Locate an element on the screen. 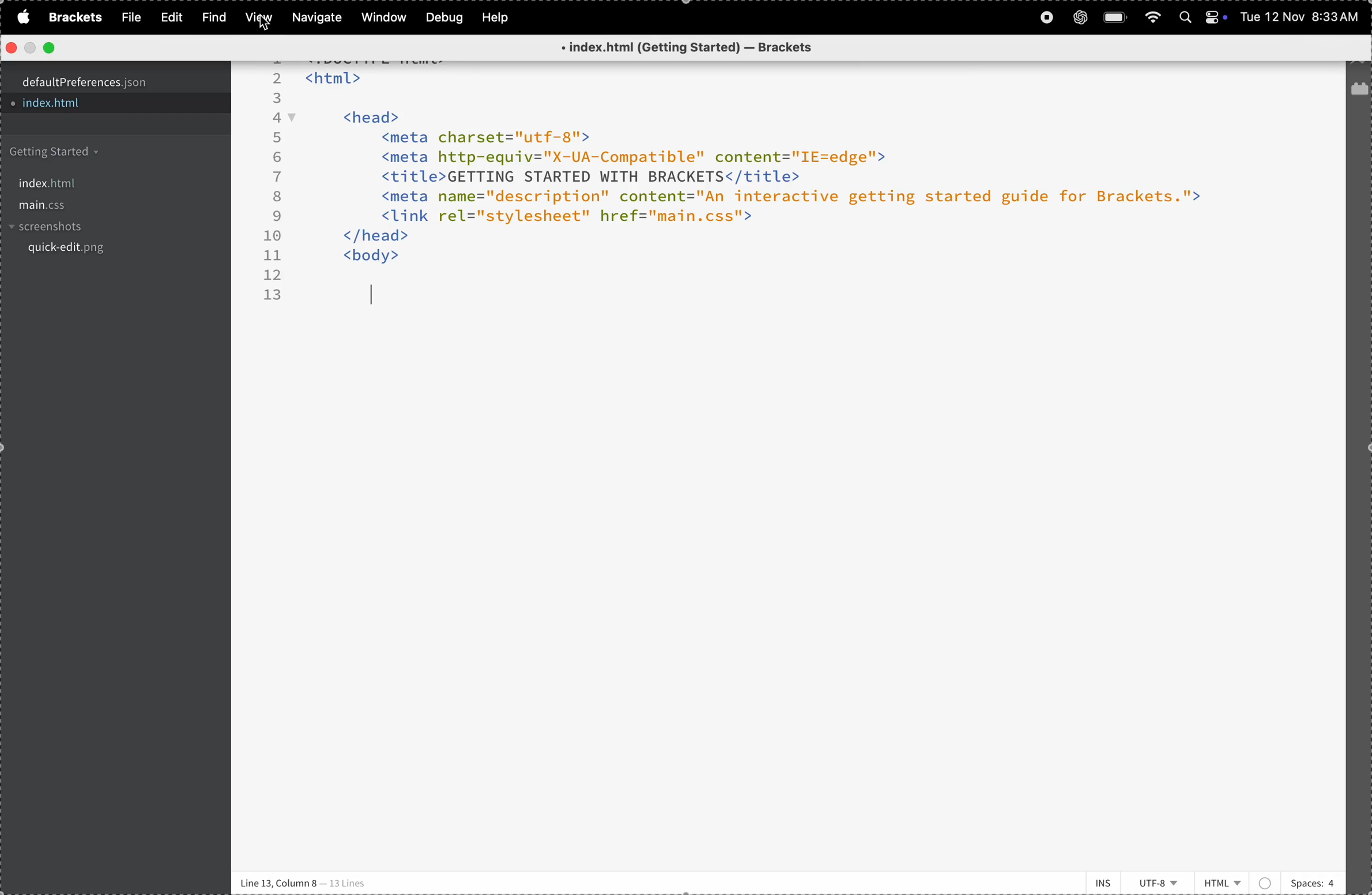 This screenshot has height=895, width=1372. window is located at coordinates (382, 17).